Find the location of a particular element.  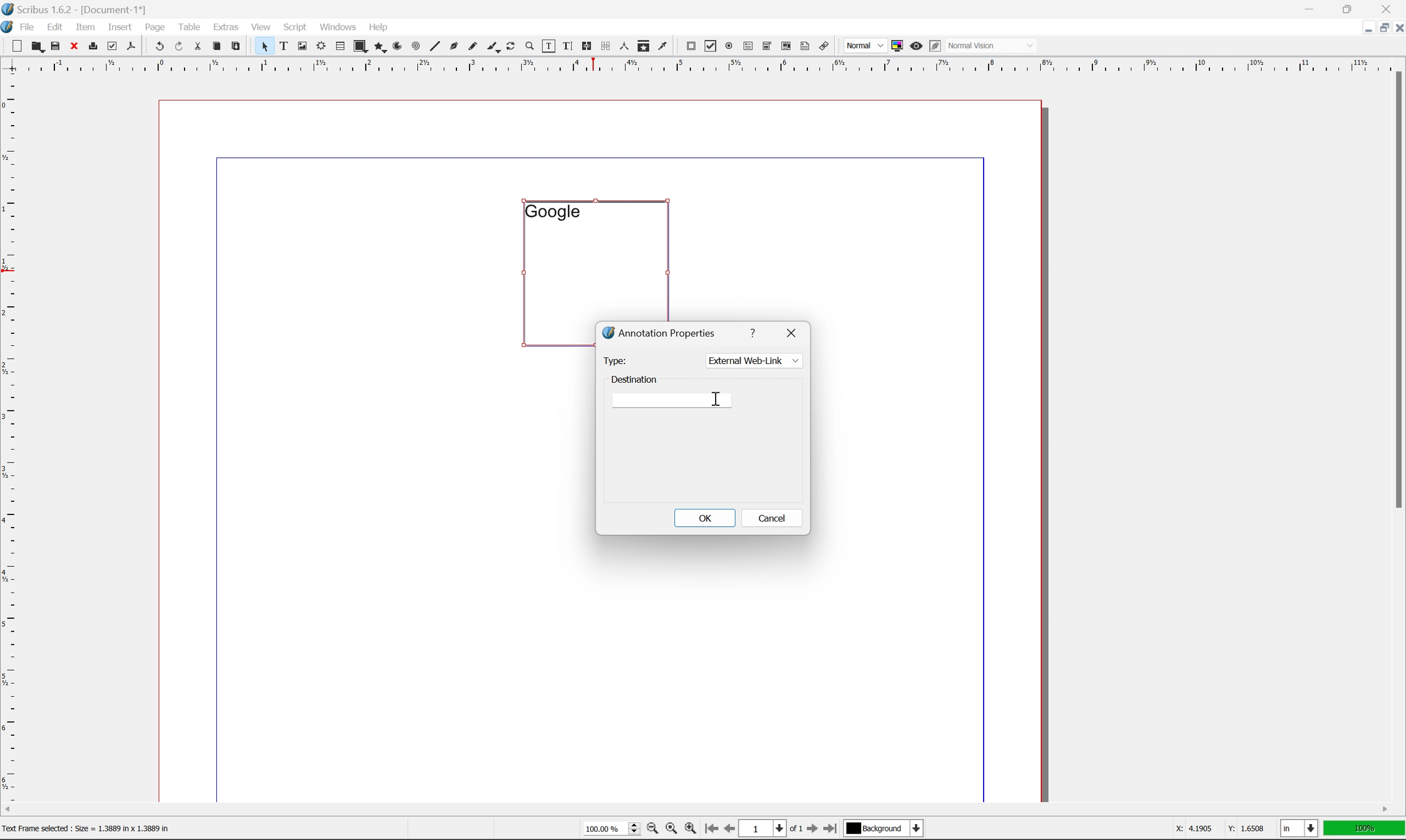

pdf checkbox is located at coordinates (708, 47).